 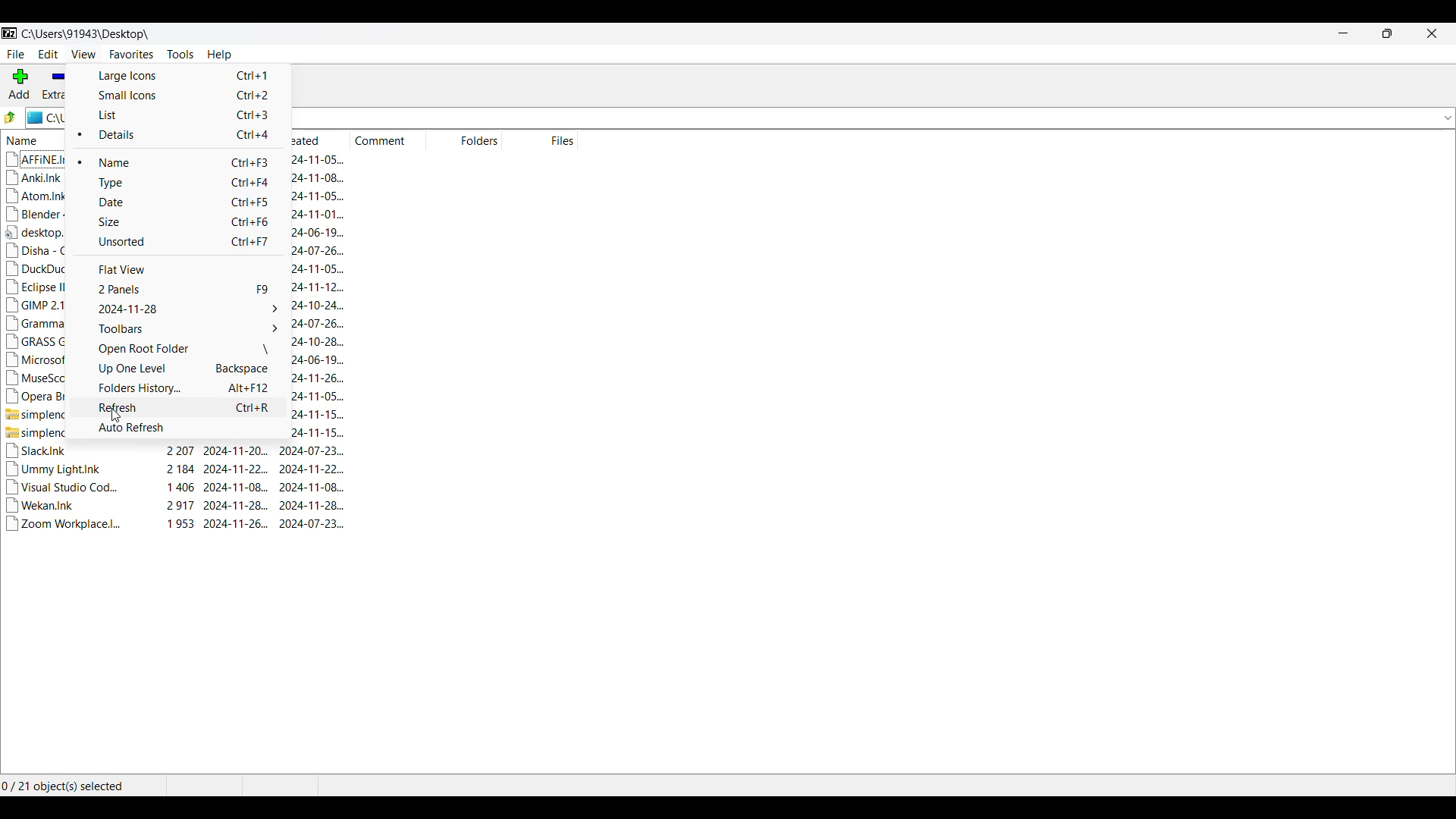 I want to click on Wekan.Ink 2917 2024-11-28. 2024-11-28.., so click(x=180, y=506).